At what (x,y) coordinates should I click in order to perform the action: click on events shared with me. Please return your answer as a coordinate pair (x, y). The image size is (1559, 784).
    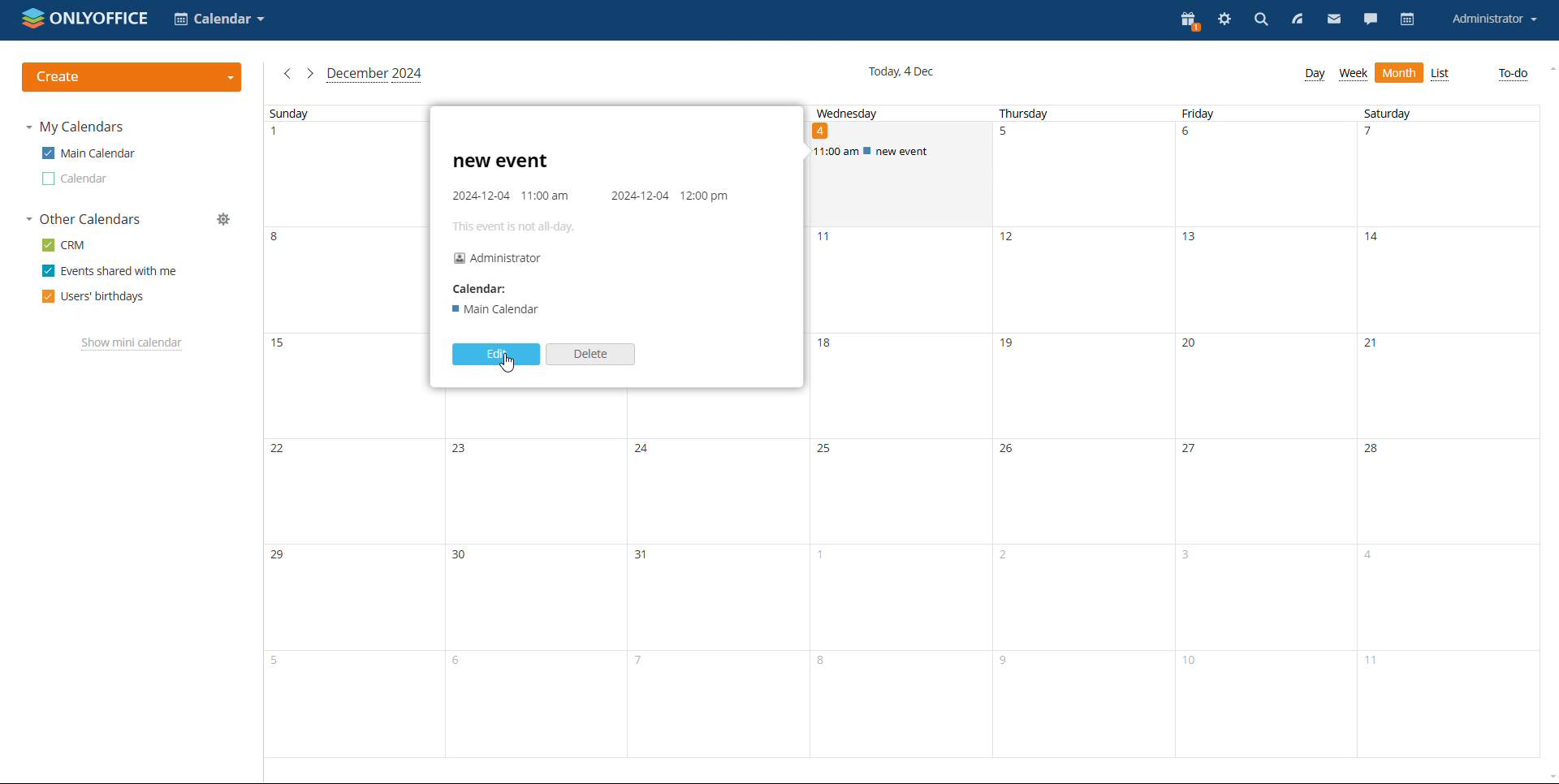
    Looking at the image, I should click on (110, 271).